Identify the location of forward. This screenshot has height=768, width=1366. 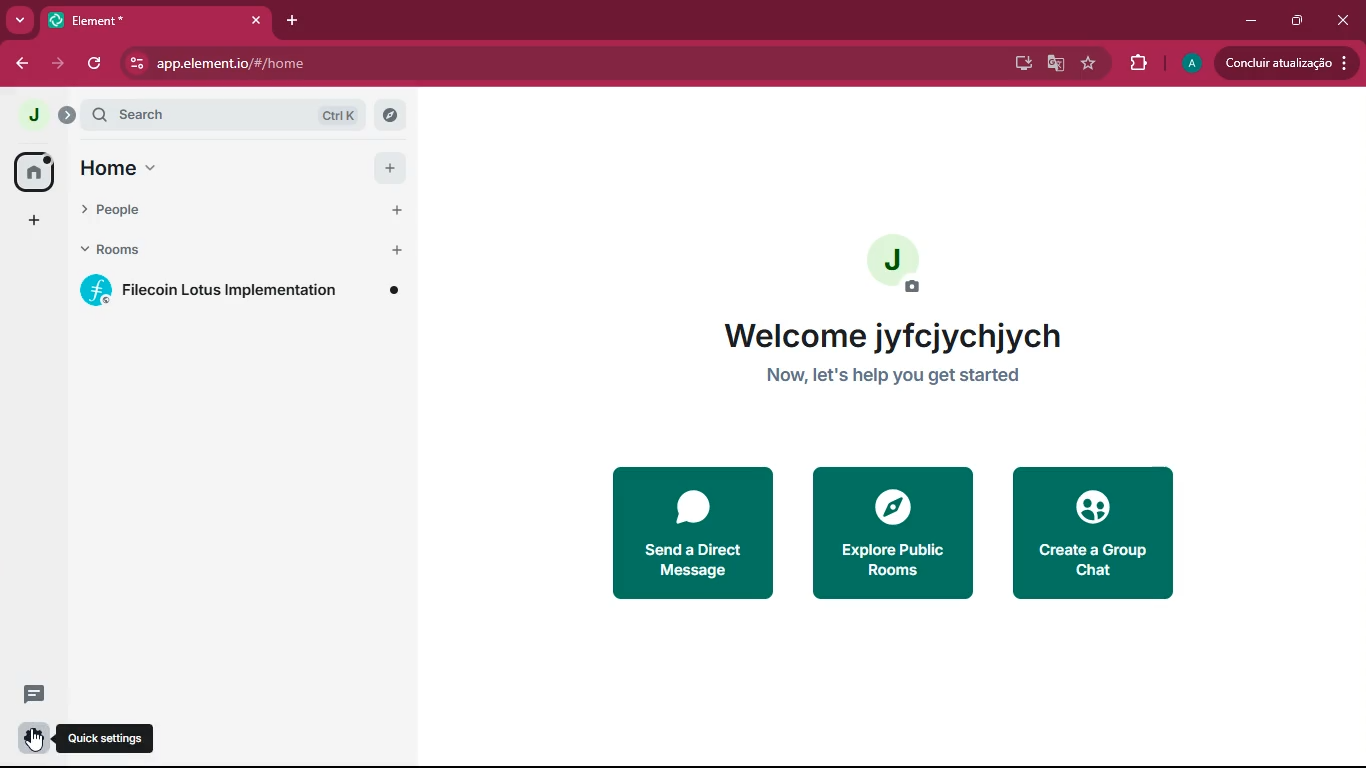
(61, 64).